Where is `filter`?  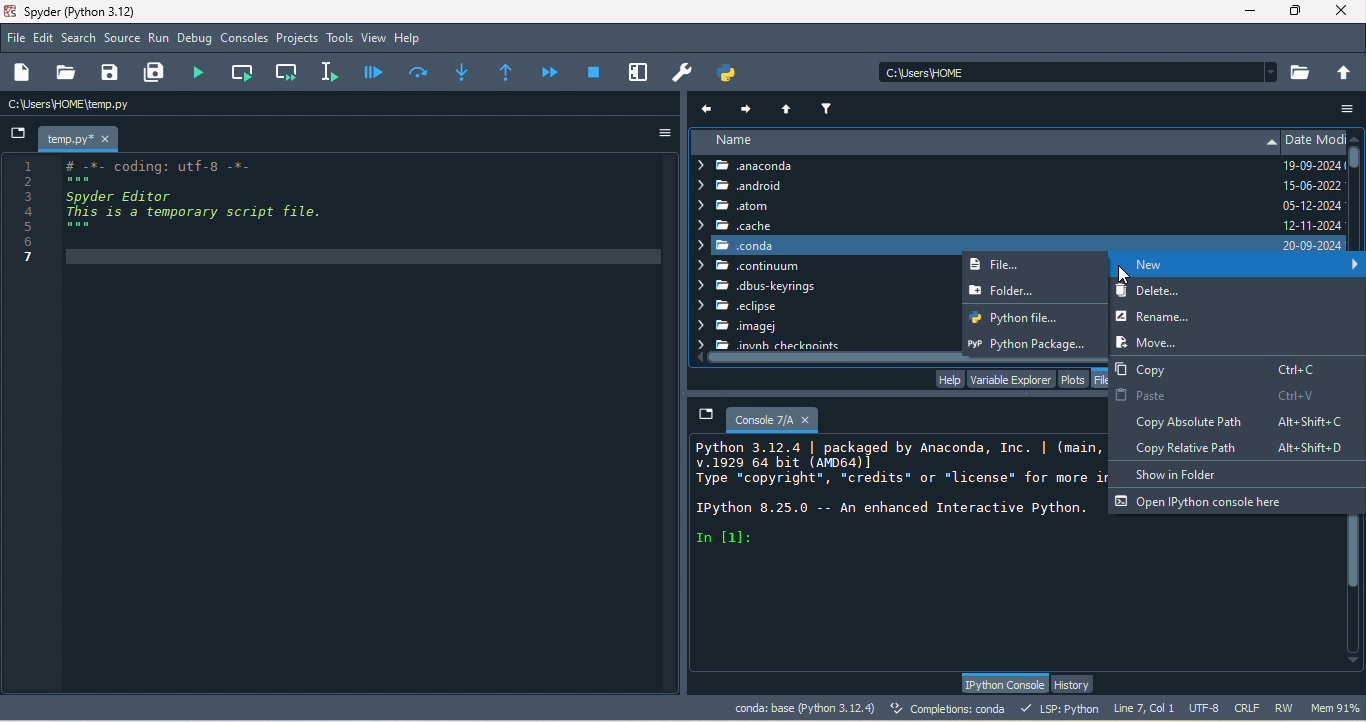
filter is located at coordinates (829, 106).